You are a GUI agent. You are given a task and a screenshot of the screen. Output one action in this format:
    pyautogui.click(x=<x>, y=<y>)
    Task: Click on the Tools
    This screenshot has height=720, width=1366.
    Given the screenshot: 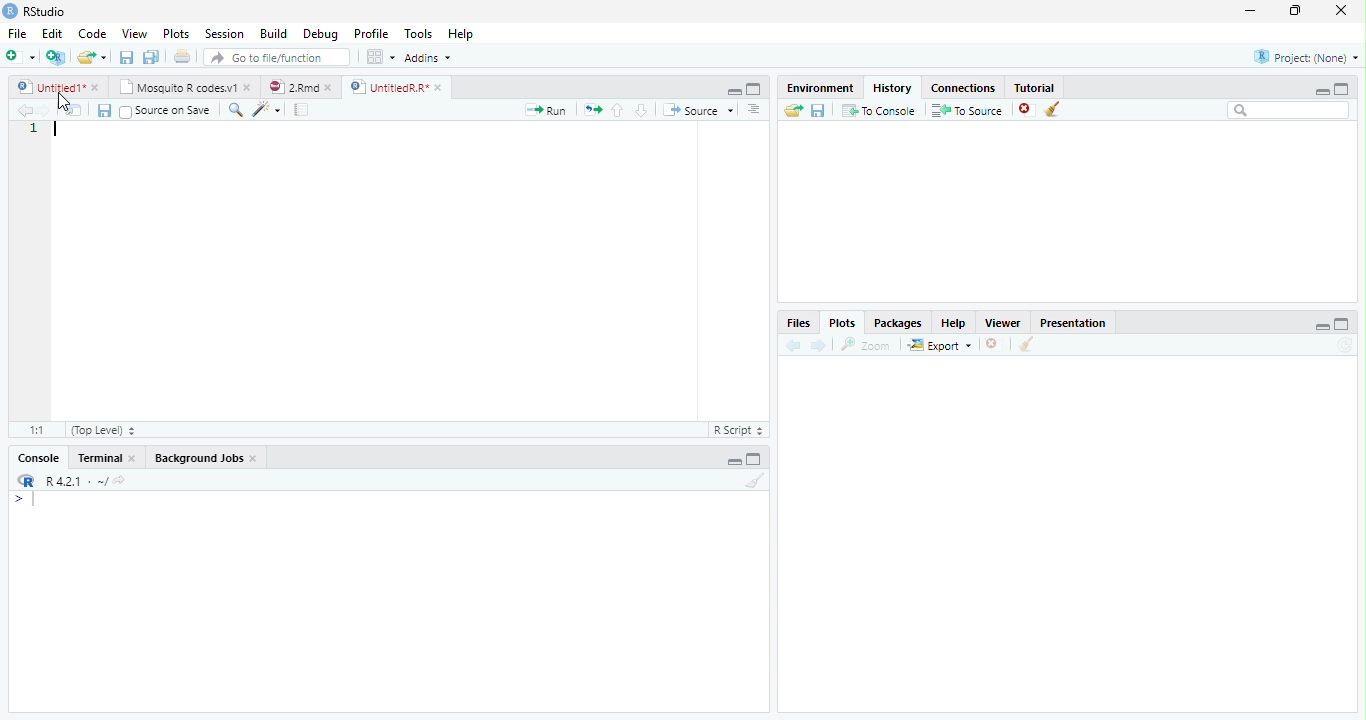 What is the action you would take?
    pyautogui.click(x=418, y=32)
    